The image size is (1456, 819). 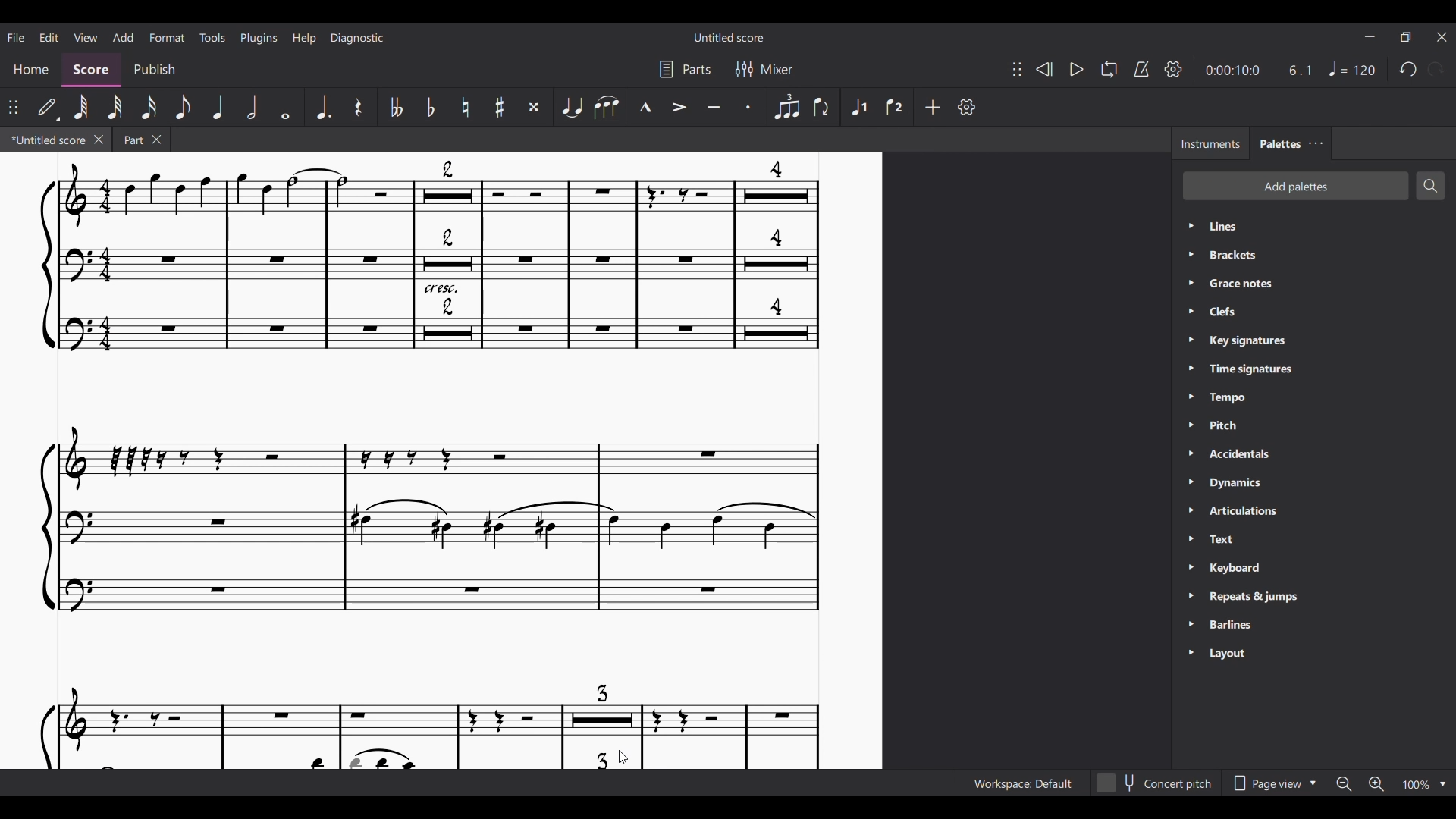 I want to click on Default, so click(x=49, y=108).